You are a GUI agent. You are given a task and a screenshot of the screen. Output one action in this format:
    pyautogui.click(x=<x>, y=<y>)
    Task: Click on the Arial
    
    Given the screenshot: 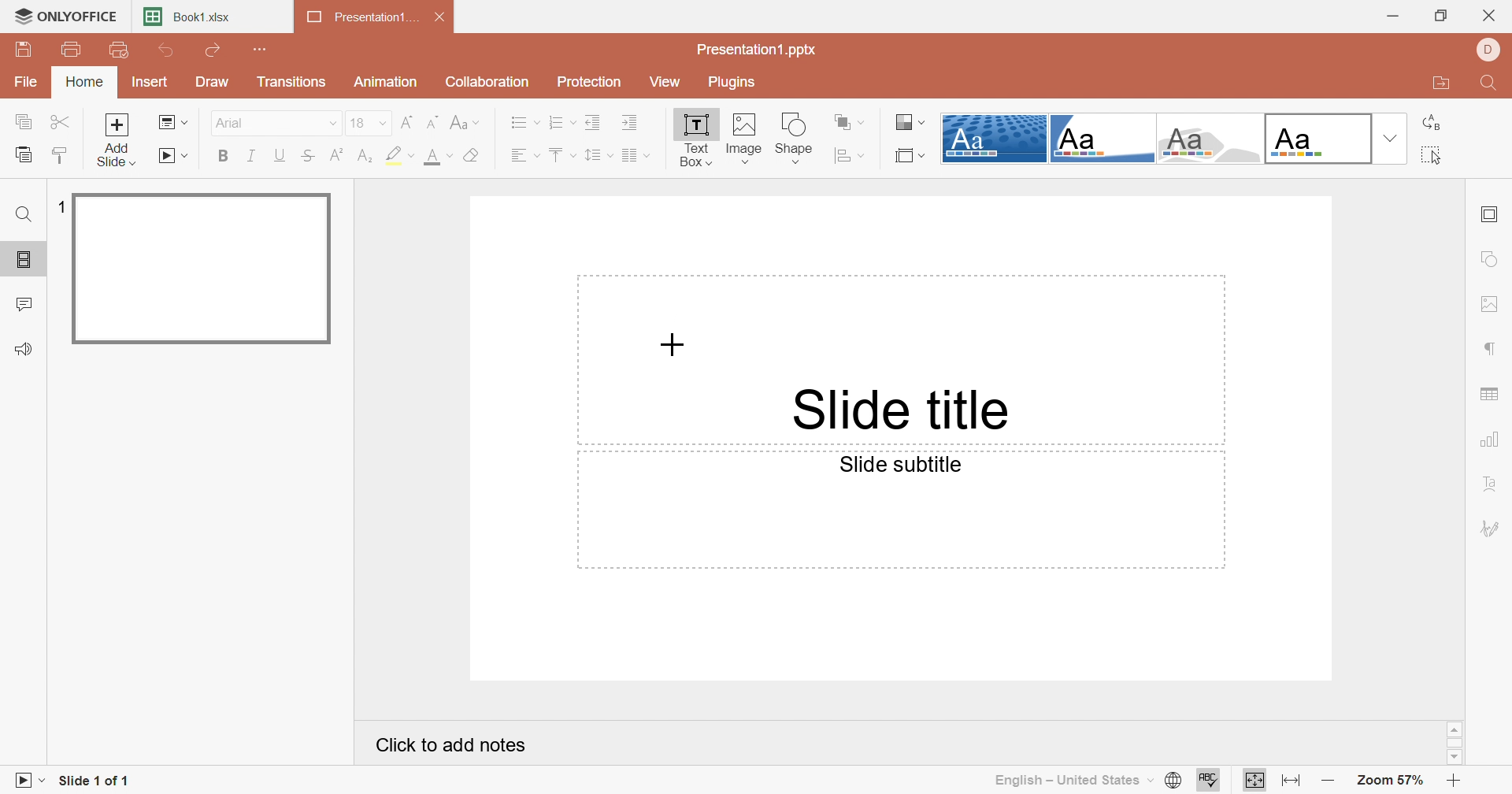 What is the action you would take?
    pyautogui.click(x=272, y=122)
    